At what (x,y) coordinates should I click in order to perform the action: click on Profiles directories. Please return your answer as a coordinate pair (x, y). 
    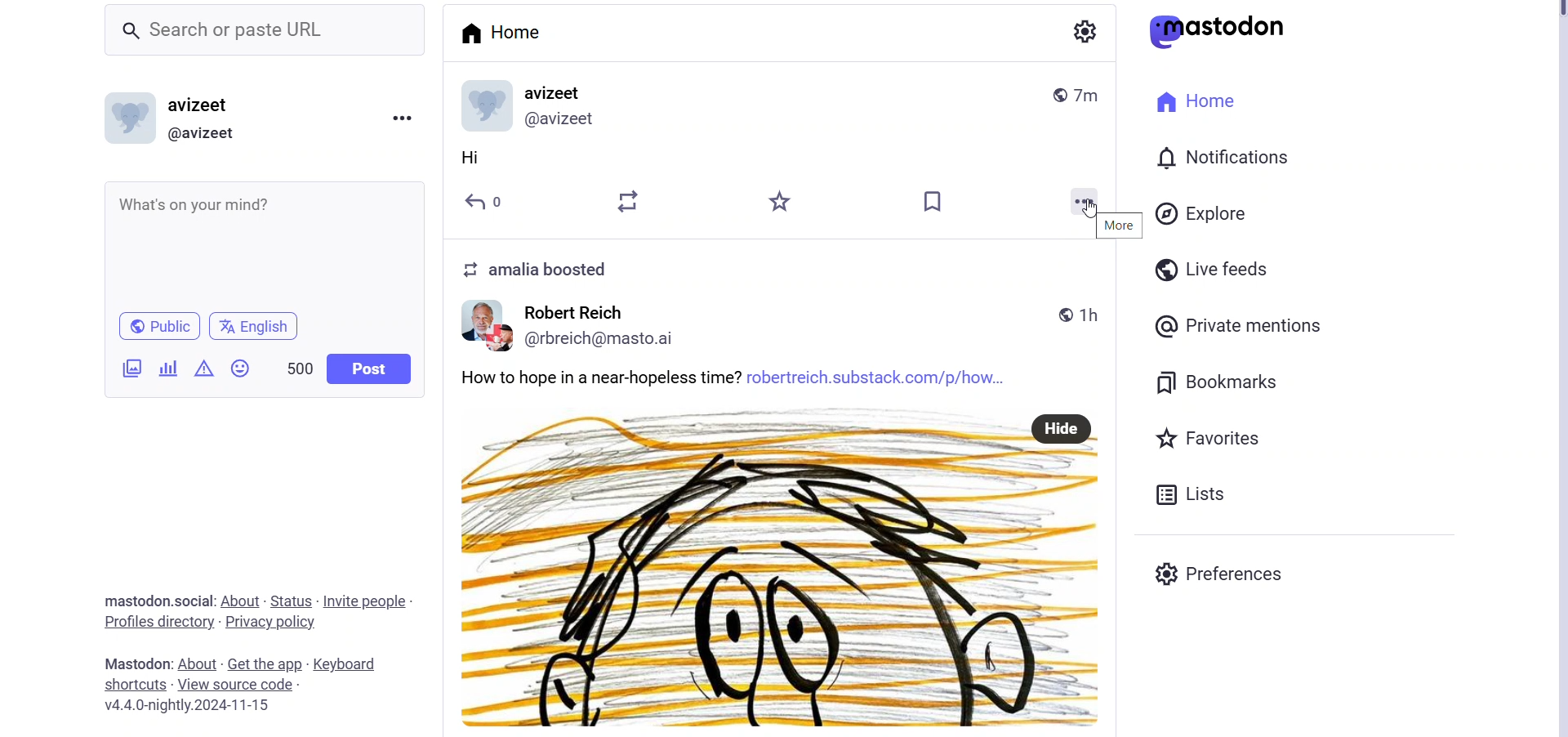
    Looking at the image, I should click on (156, 625).